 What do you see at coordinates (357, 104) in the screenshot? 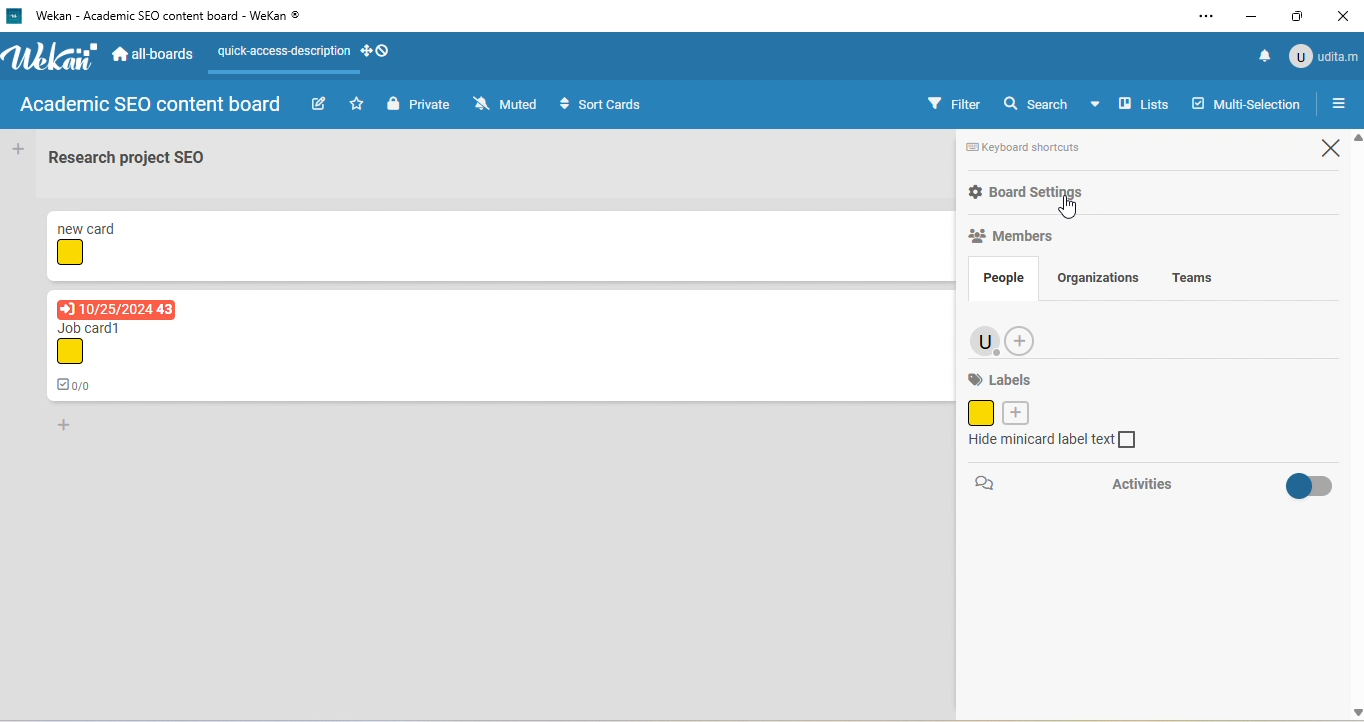
I see `star this board` at bounding box center [357, 104].